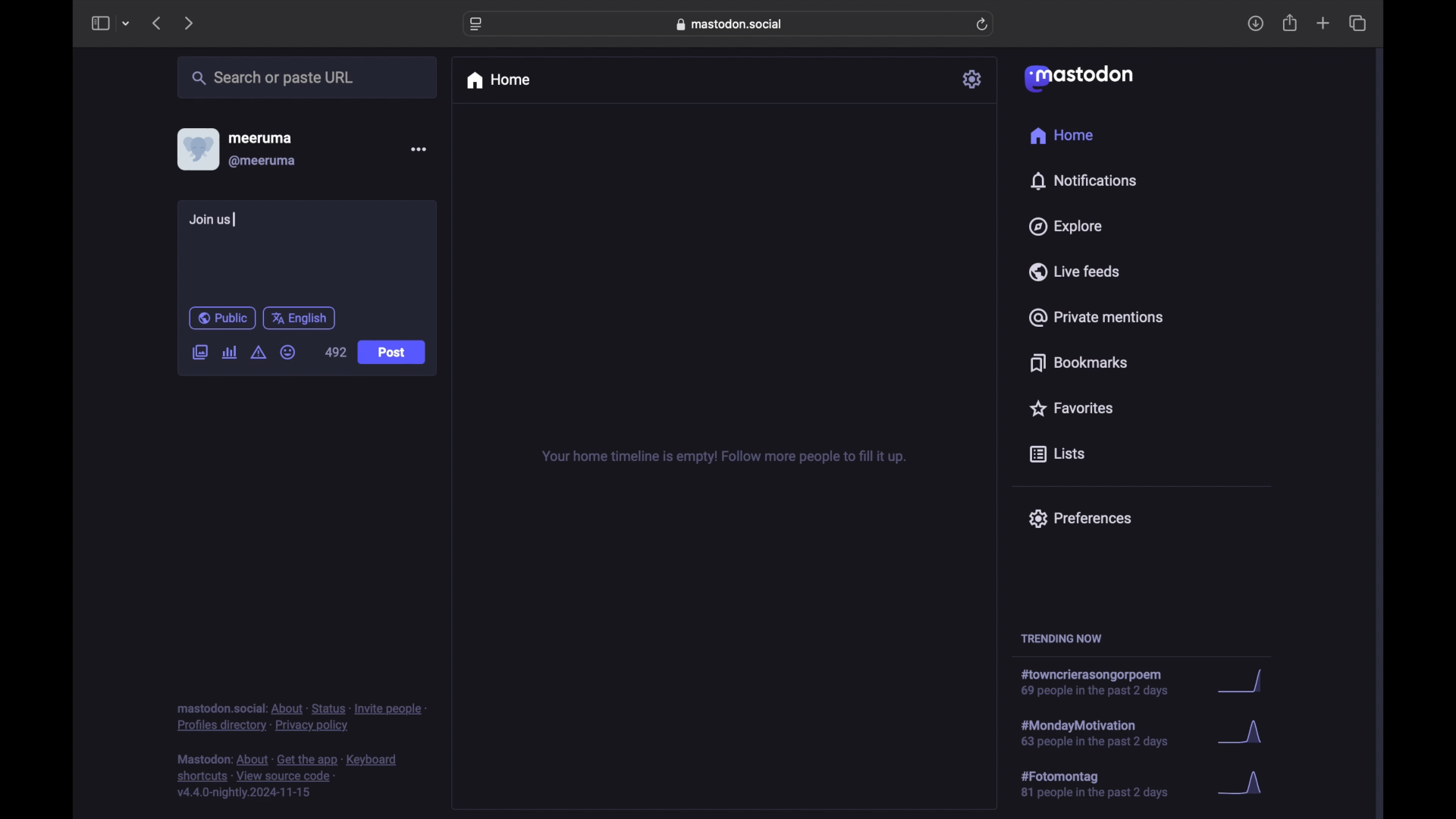  What do you see at coordinates (1256, 24) in the screenshot?
I see `download` at bounding box center [1256, 24].